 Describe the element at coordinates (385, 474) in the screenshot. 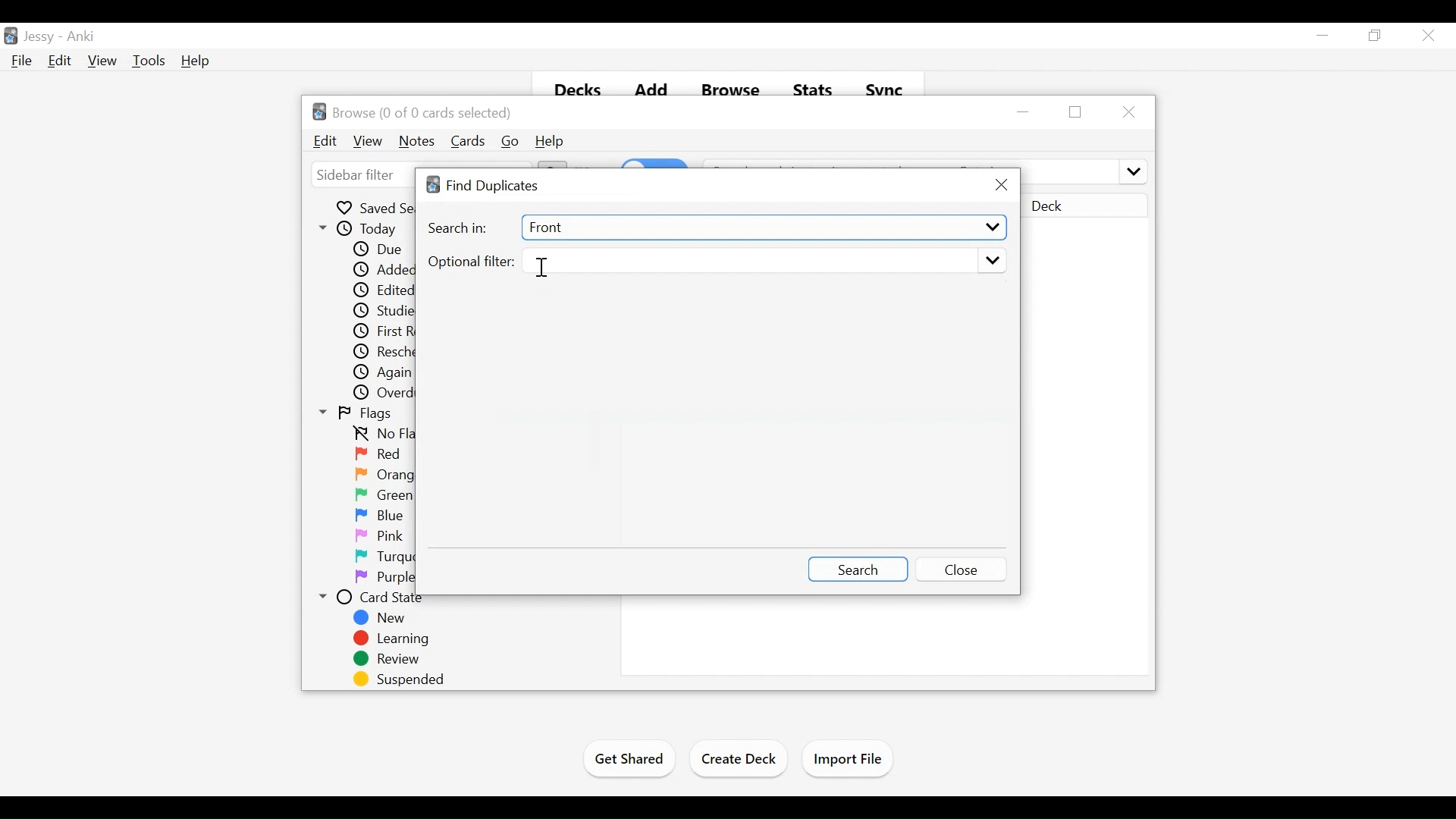

I see `Orange` at that location.